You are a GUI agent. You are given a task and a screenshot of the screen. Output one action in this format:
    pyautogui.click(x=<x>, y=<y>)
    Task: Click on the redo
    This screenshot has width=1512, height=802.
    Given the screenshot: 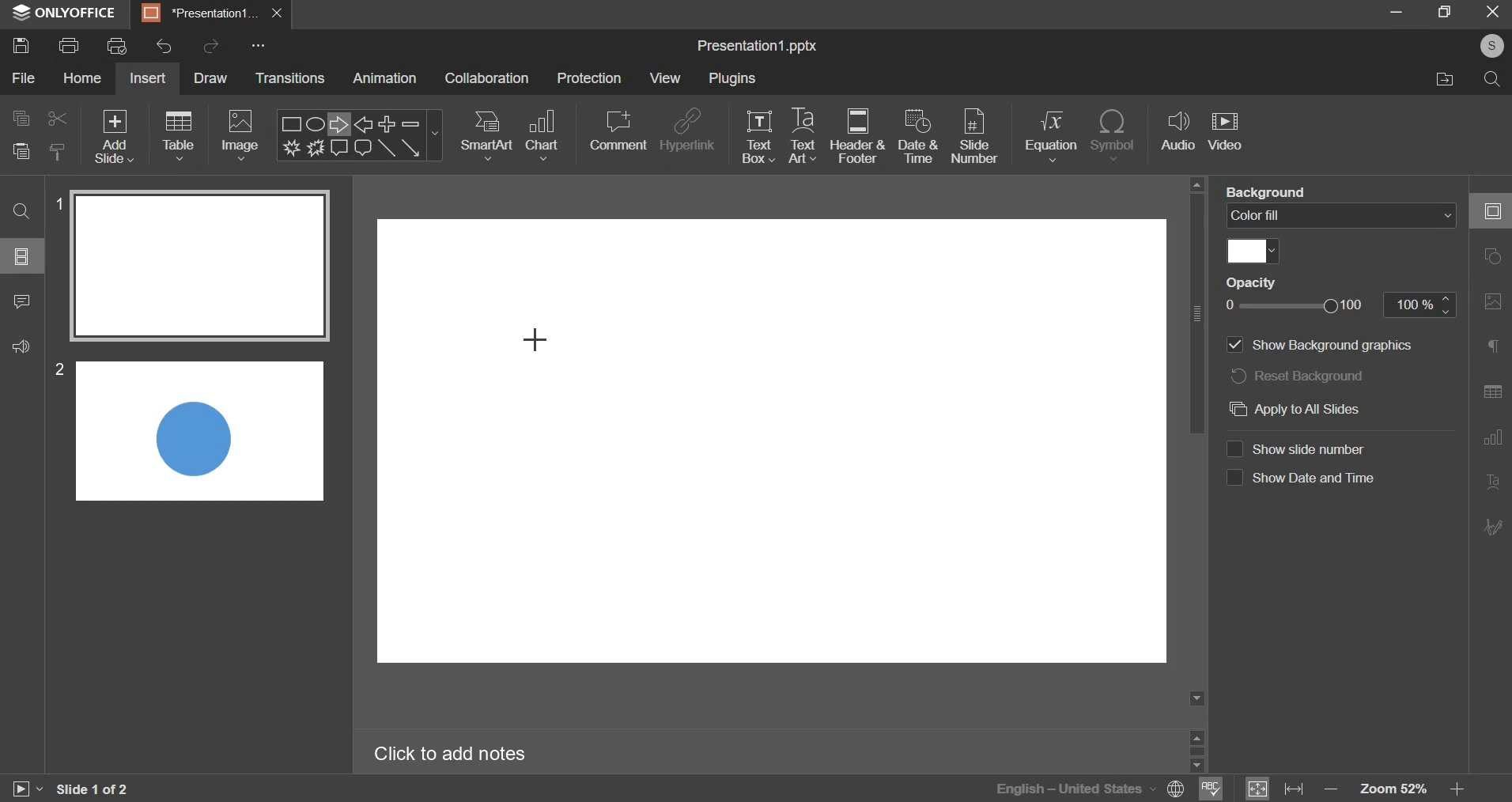 What is the action you would take?
    pyautogui.click(x=214, y=45)
    